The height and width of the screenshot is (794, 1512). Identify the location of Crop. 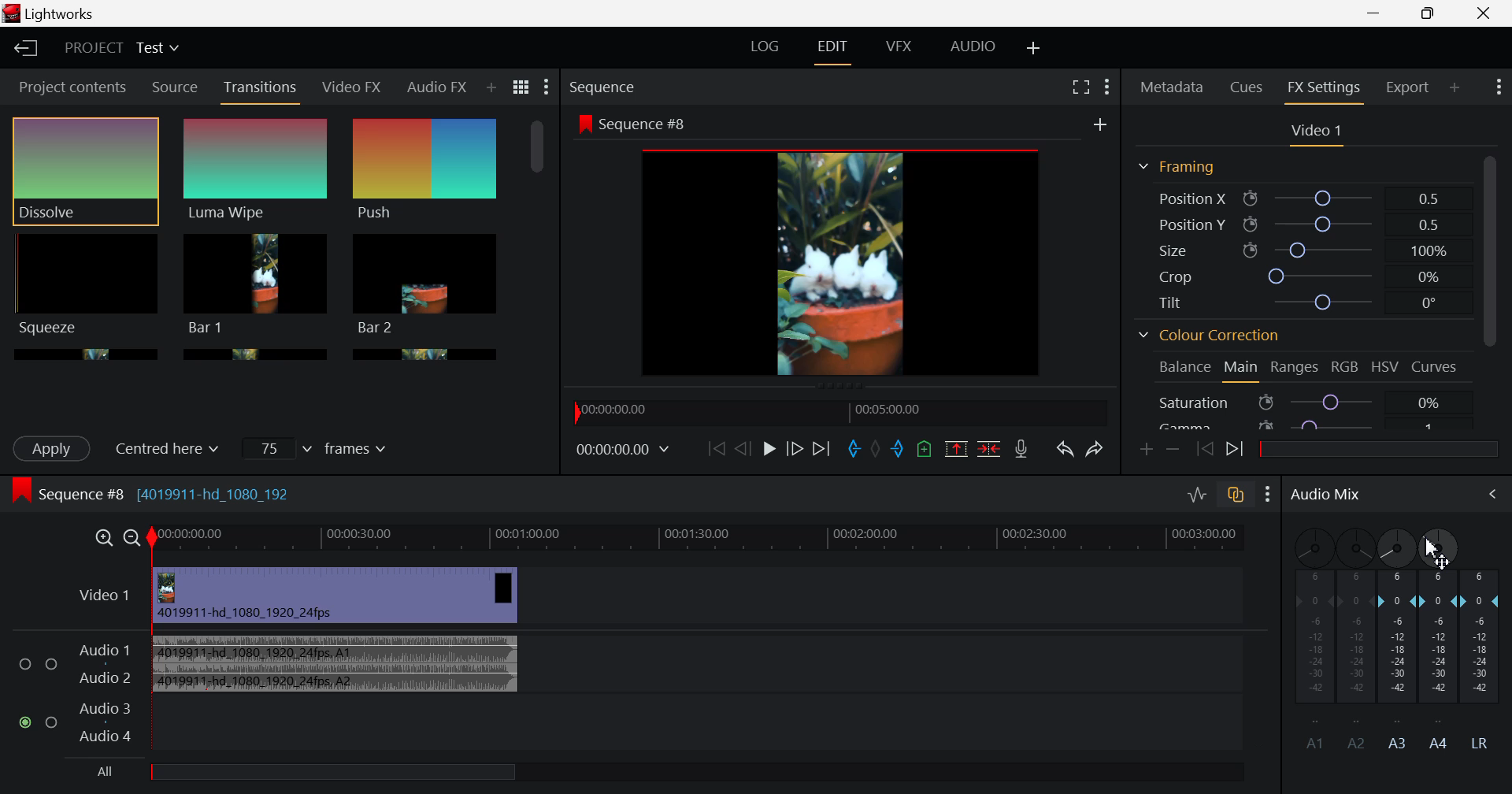
(1303, 275).